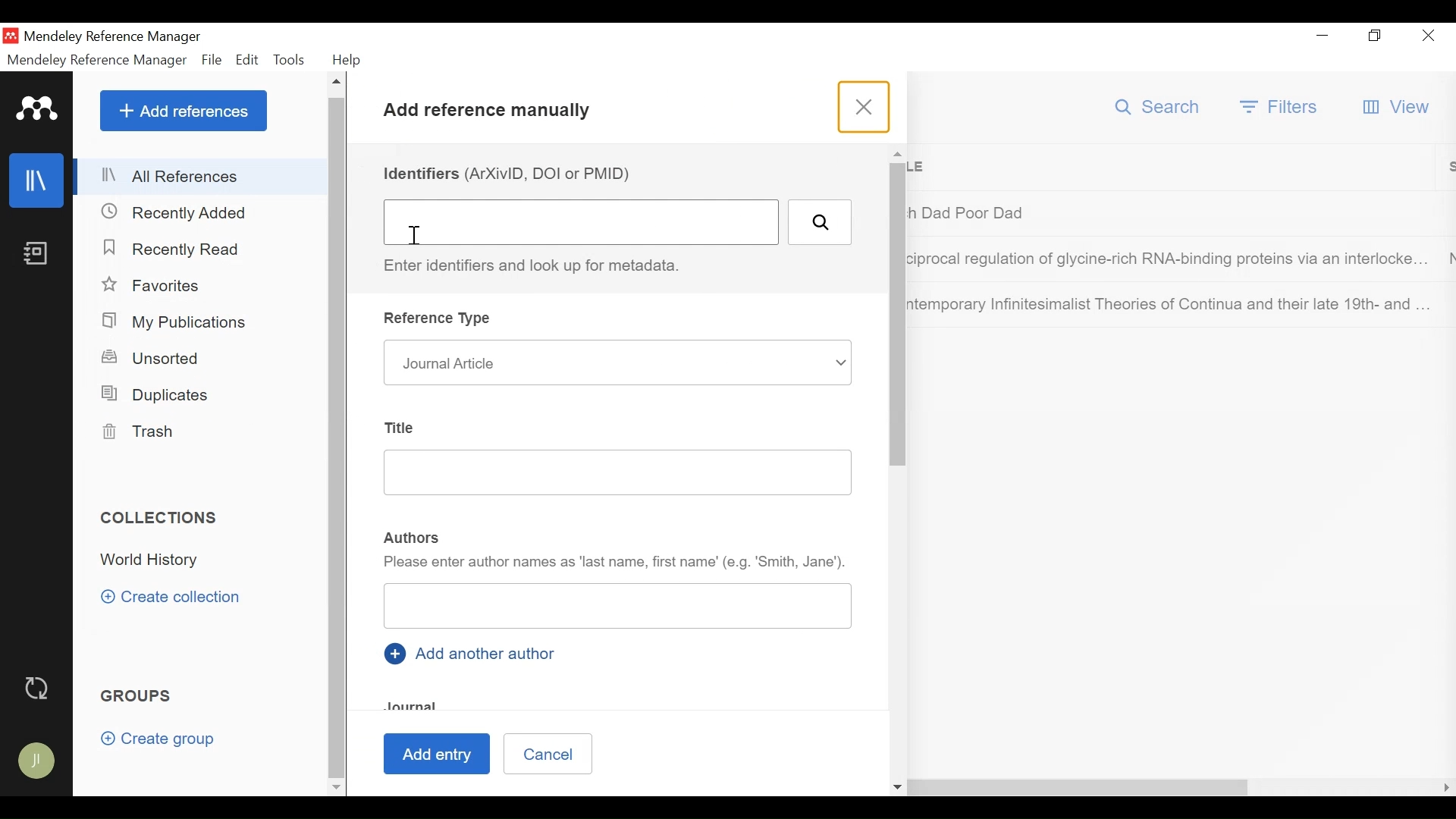 This screenshot has width=1456, height=819. I want to click on Sync, so click(39, 687).